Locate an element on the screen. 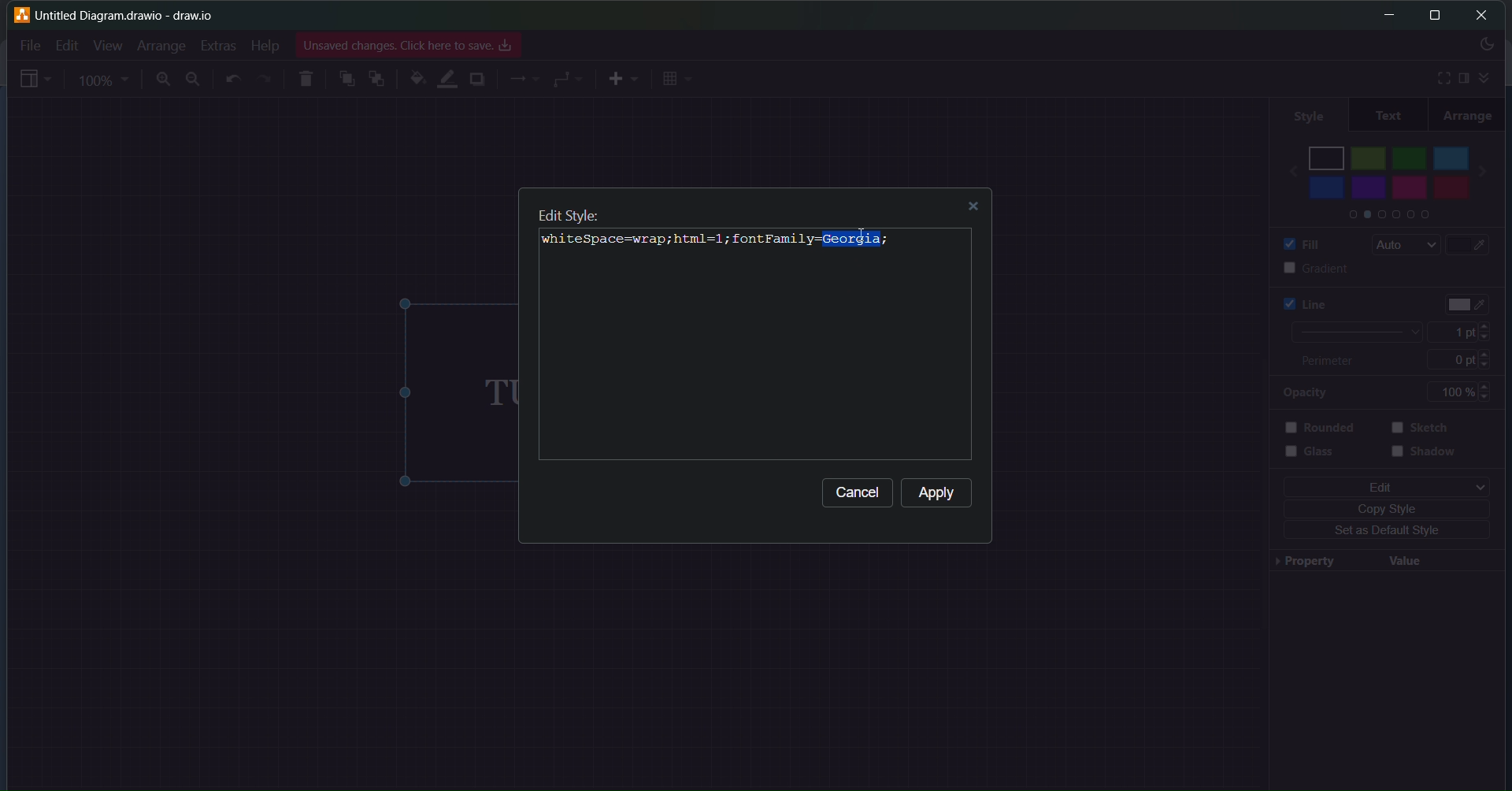  theme is located at coordinates (1485, 46).